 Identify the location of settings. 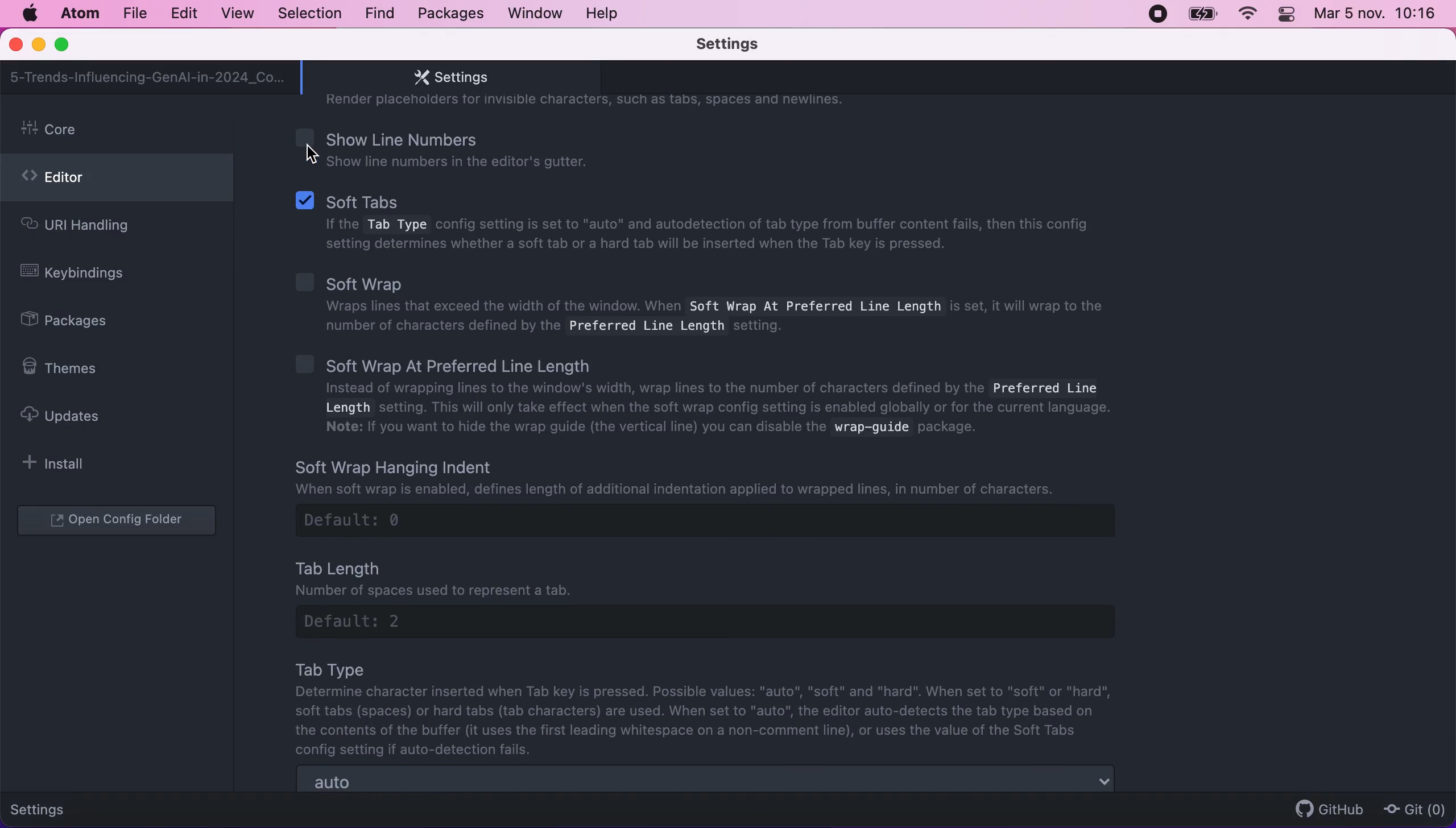
(744, 45).